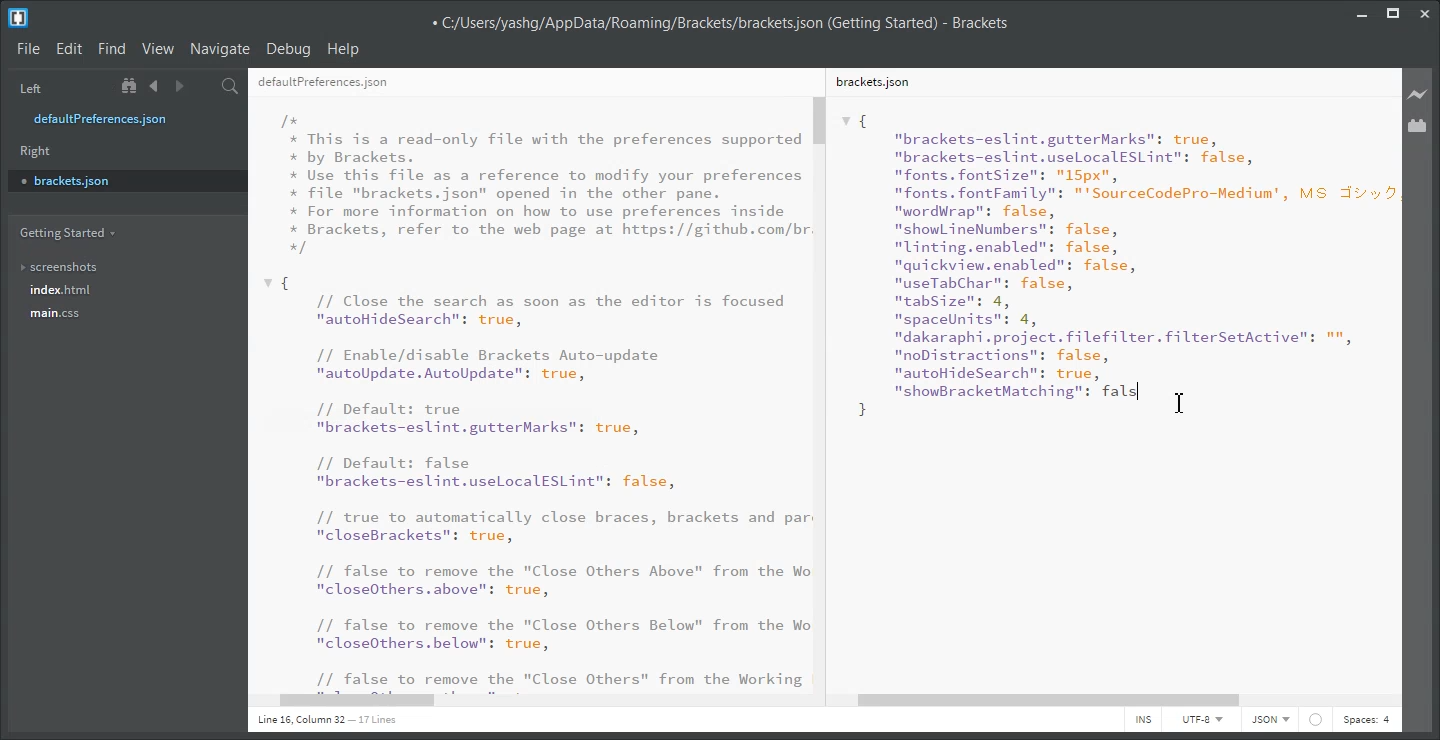 This screenshot has width=1440, height=740. Describe the element at coordinates (1366, 720) in the screenshot. I see `Spaces: 4` at that location.